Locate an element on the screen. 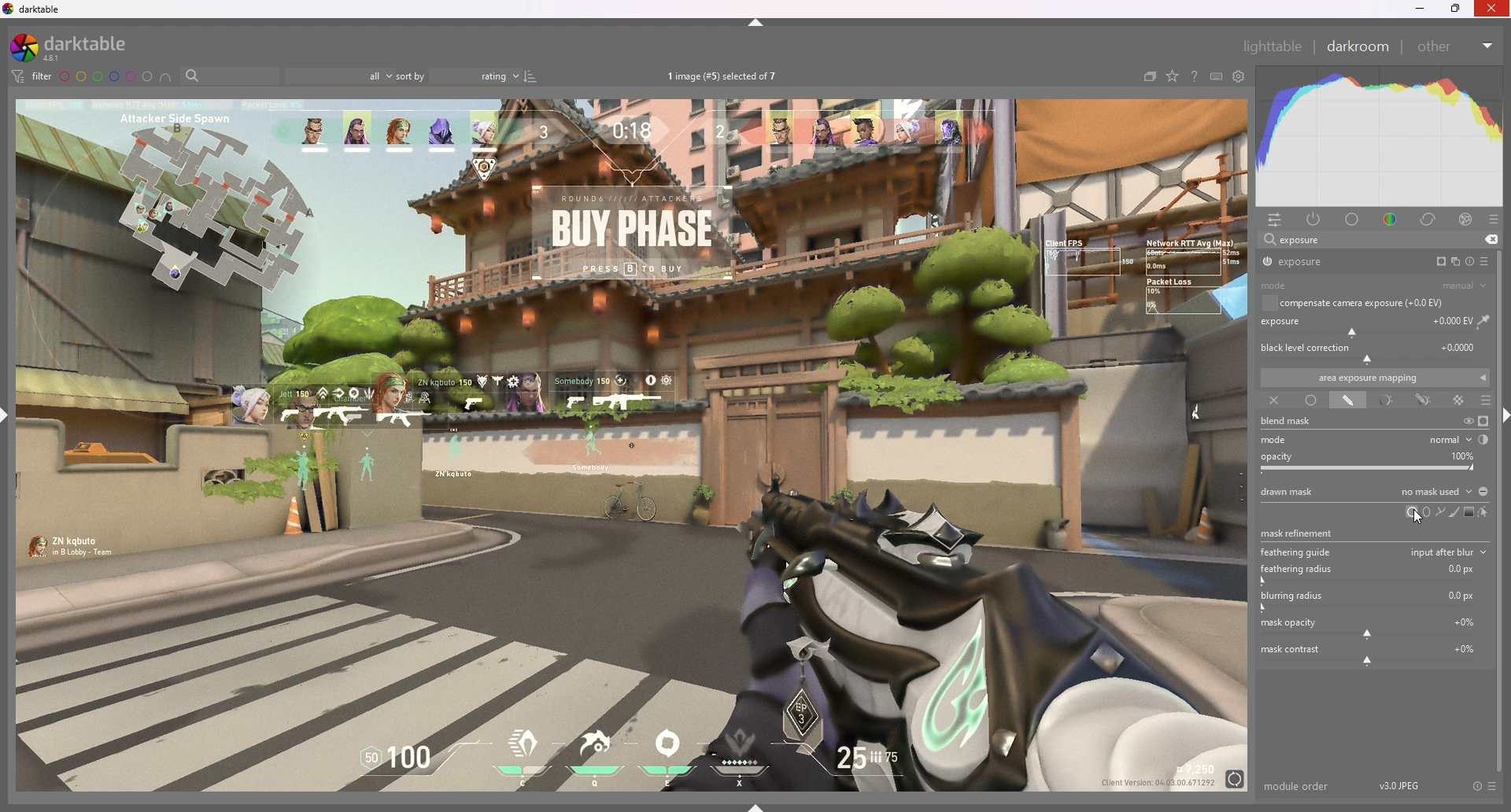 This screenshot has height=812, width=1511. add brush is located at coordinates (1450, 512).